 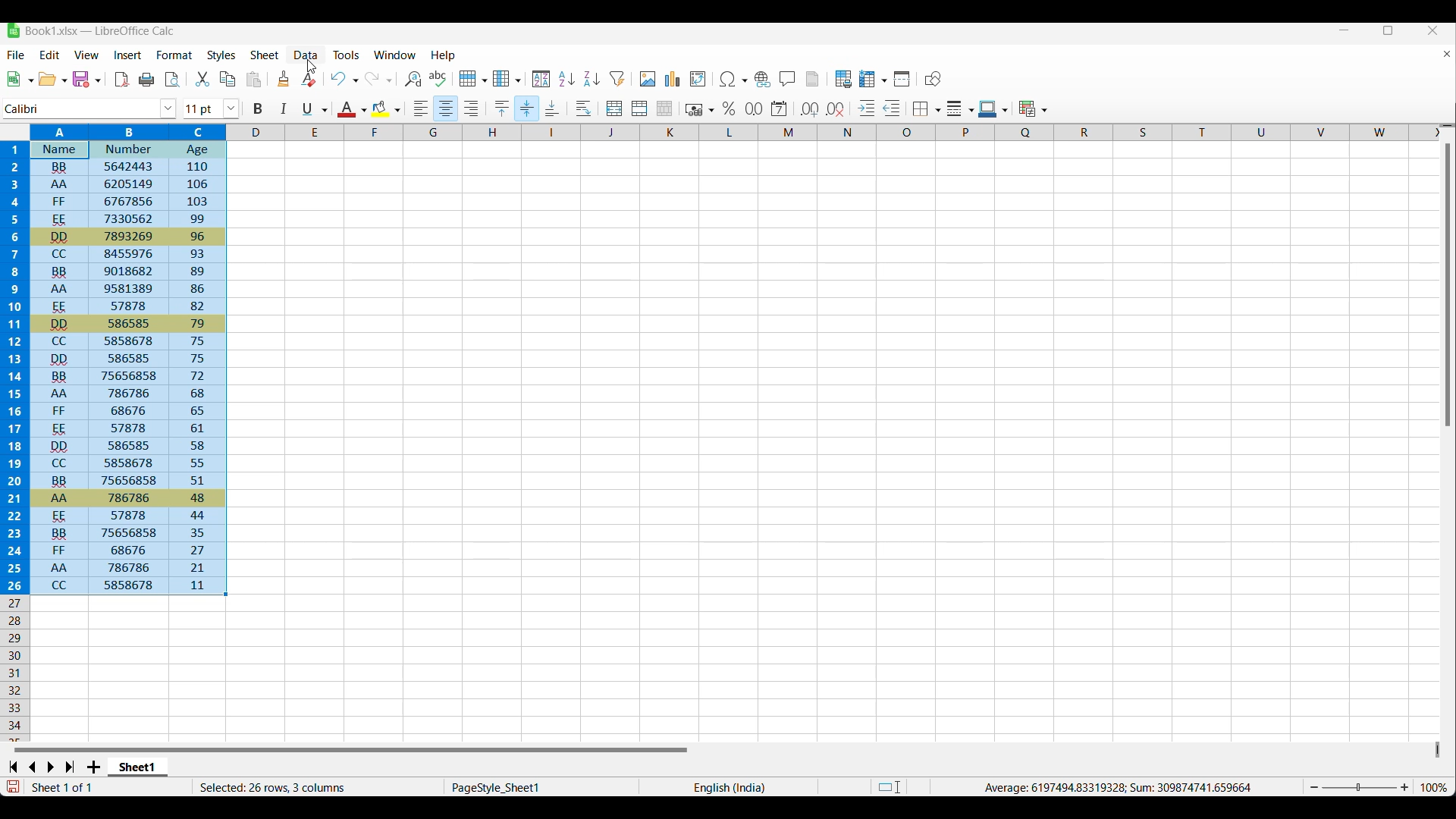 What do you see at coordinates (221, 55) in the screenshot?
I see `Styles menu` at bounding box center [221, 55].